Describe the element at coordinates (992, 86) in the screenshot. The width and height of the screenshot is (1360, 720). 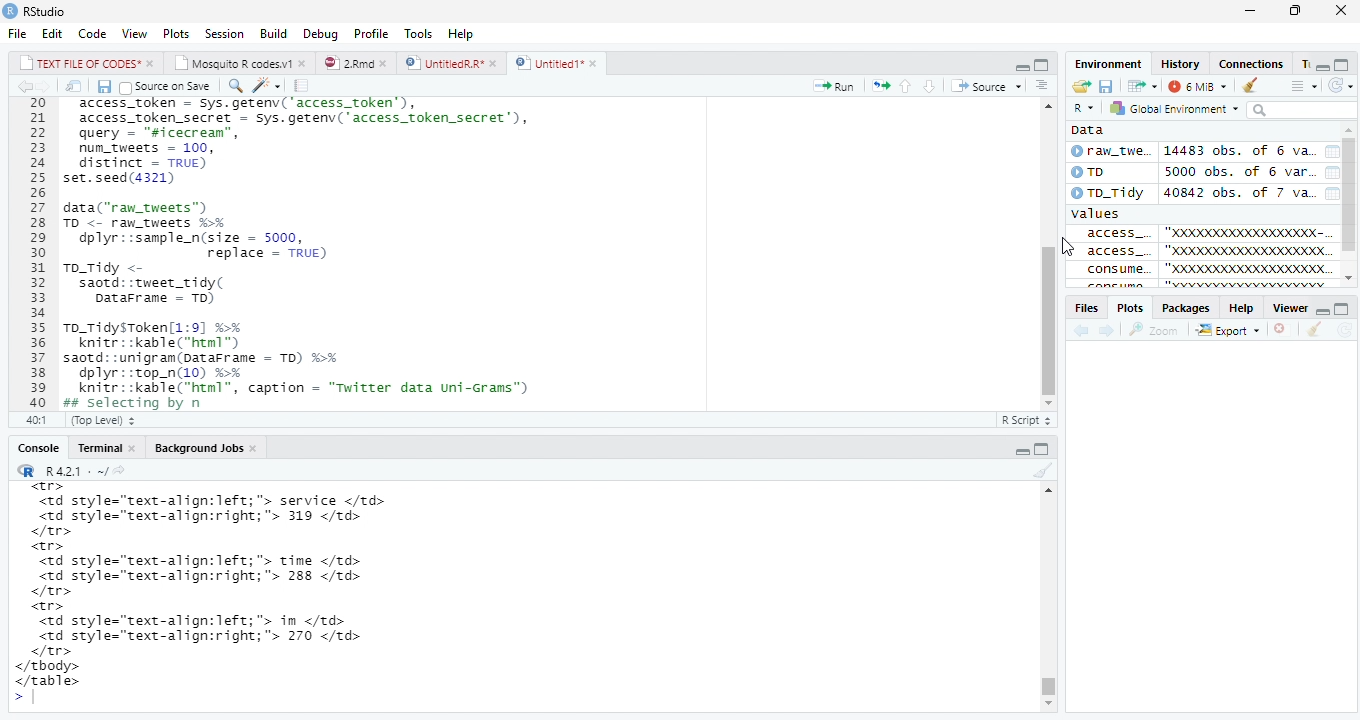
I see `+ Source` at that location.